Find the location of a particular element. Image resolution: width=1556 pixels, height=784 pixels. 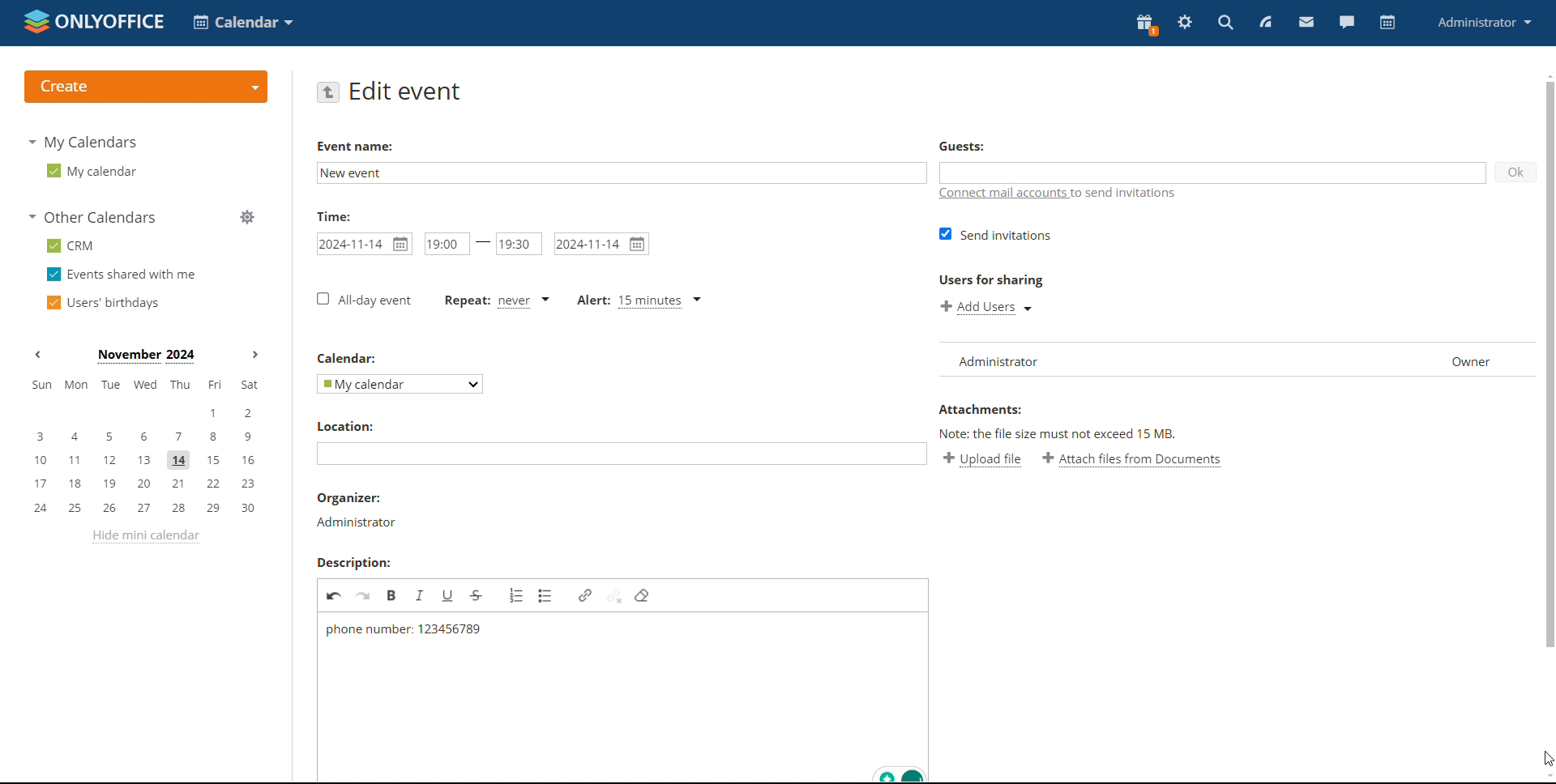

current month is located at coordinates (144, 356).